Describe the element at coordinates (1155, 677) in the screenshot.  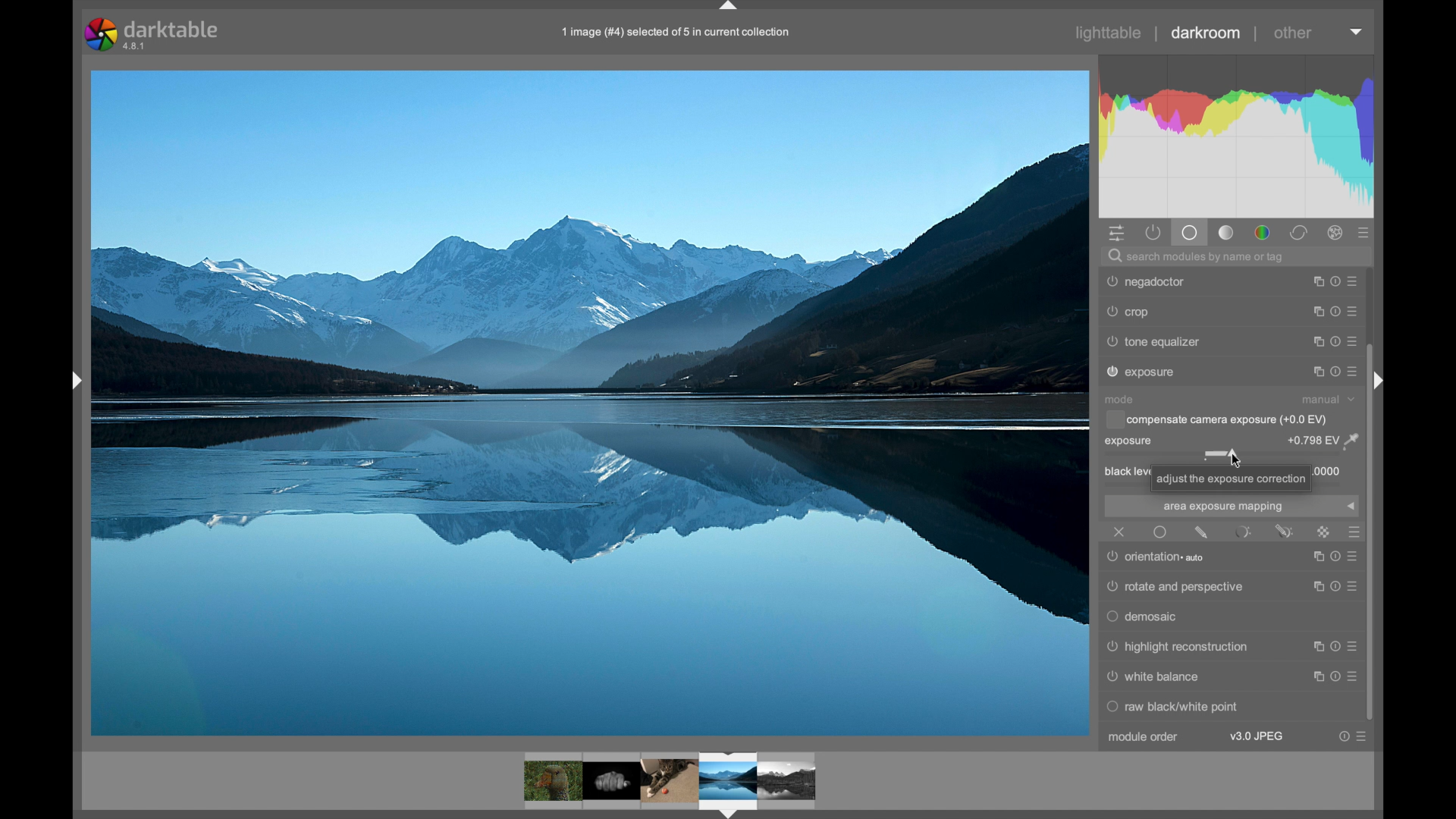
I see `white balance` at that location.